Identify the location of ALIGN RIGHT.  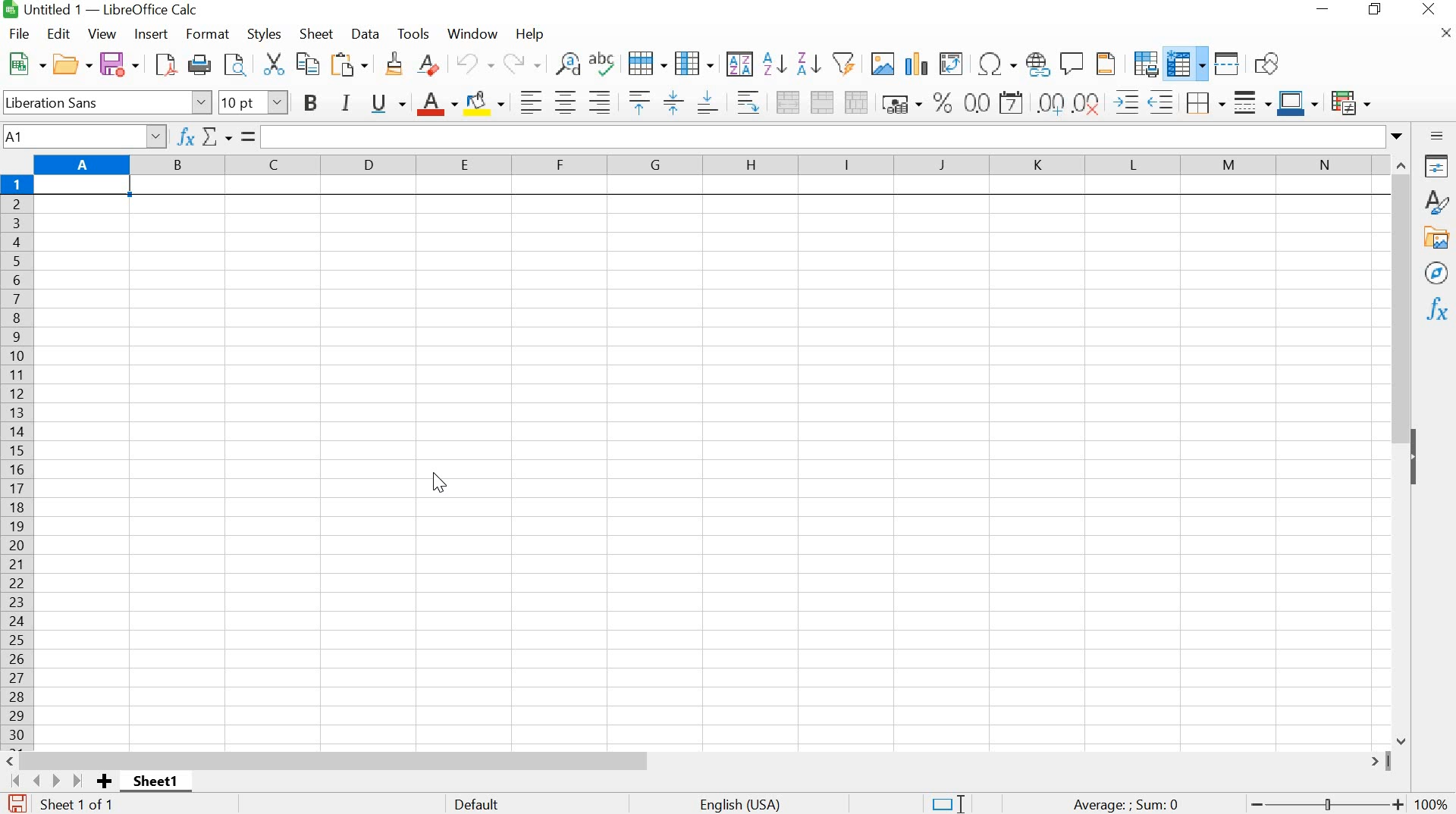
(600, 102).